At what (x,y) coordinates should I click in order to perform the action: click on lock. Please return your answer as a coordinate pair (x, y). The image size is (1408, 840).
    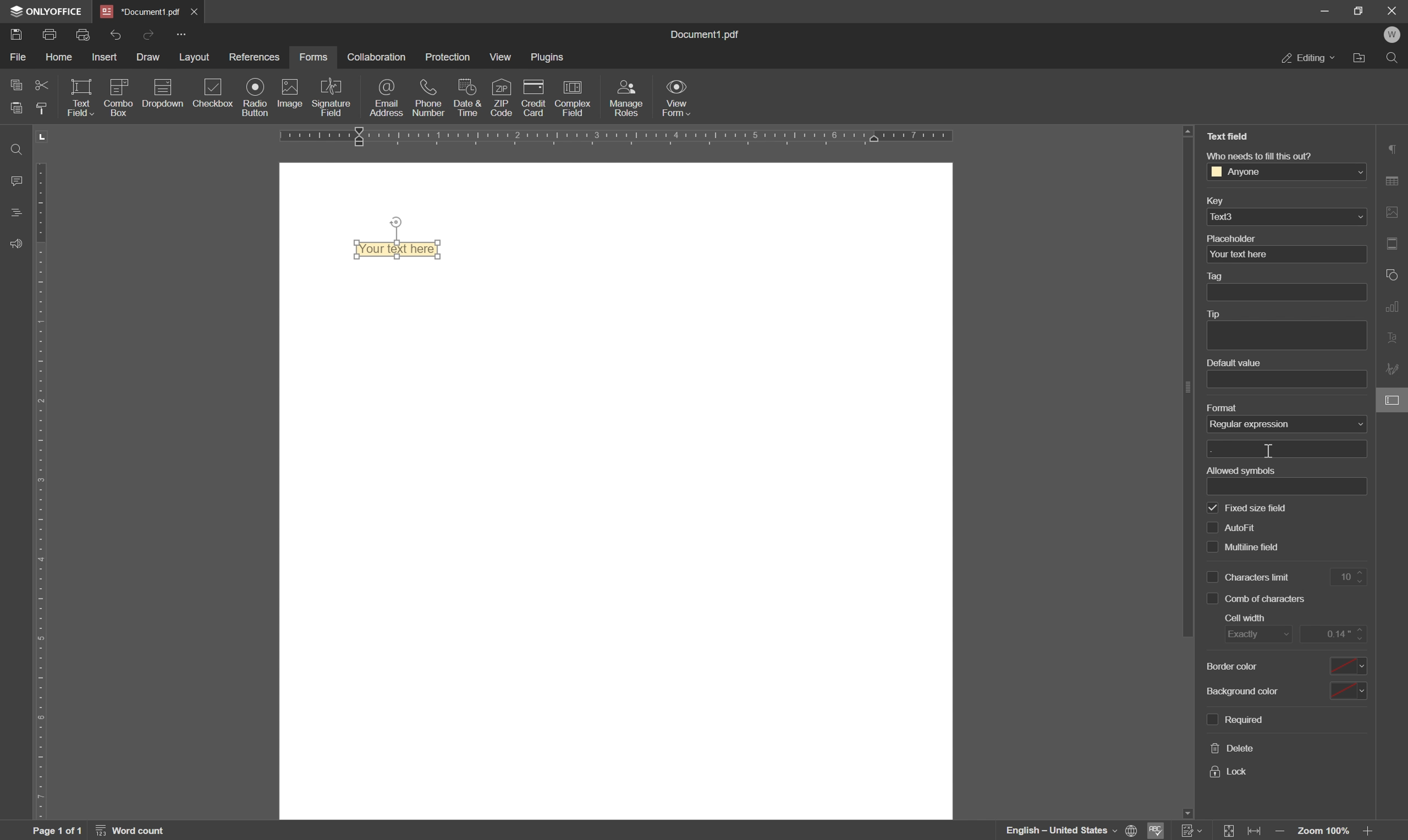
    Looking at the image, I should click on (1230, 772).